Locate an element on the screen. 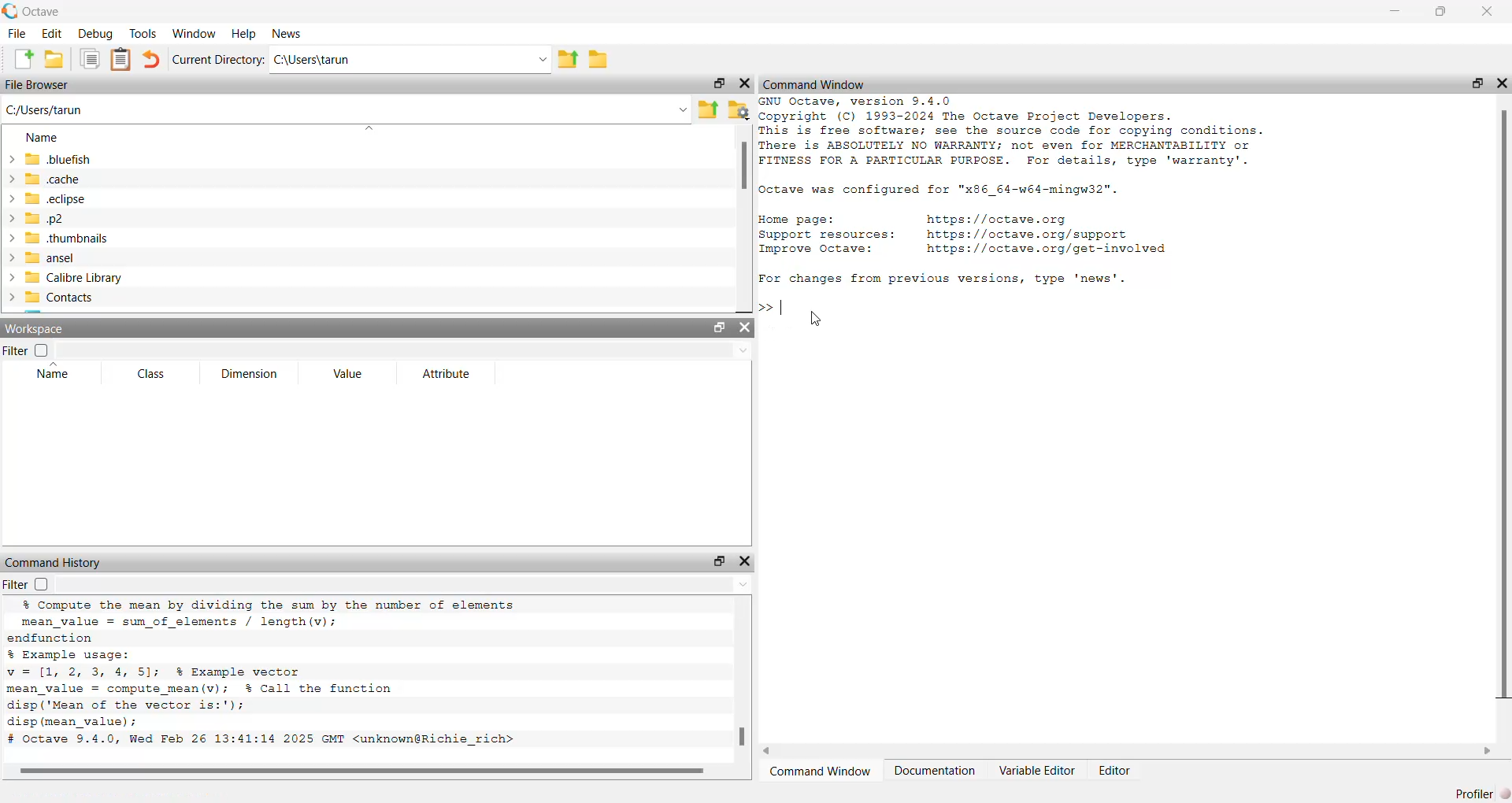 Image resolution: width=1512 pixels, height=803 pixels. scroll bar is located at coordinates (366, 771).